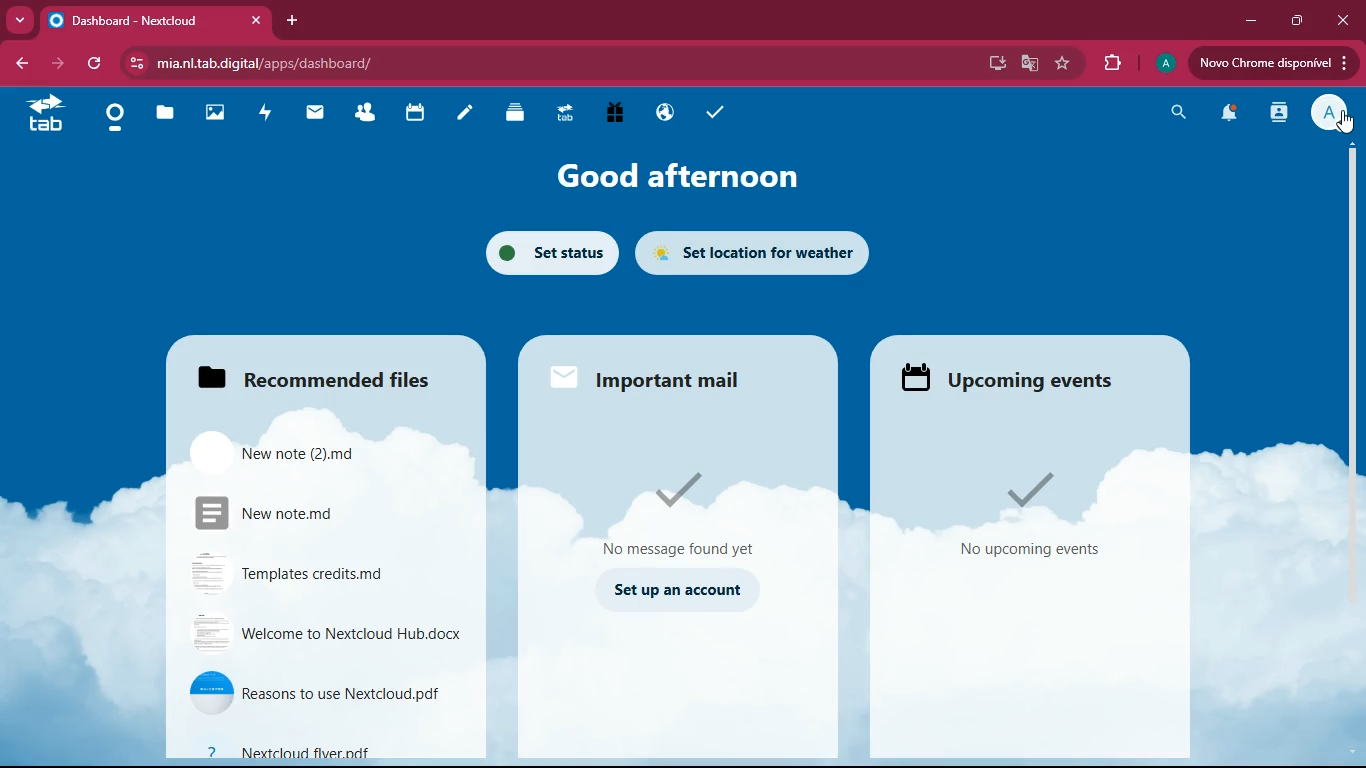 This screenshot has height=768, width=1366. Describe the element at coordinates (1112, 64) in the screenshot. I see `extensions` at that location.